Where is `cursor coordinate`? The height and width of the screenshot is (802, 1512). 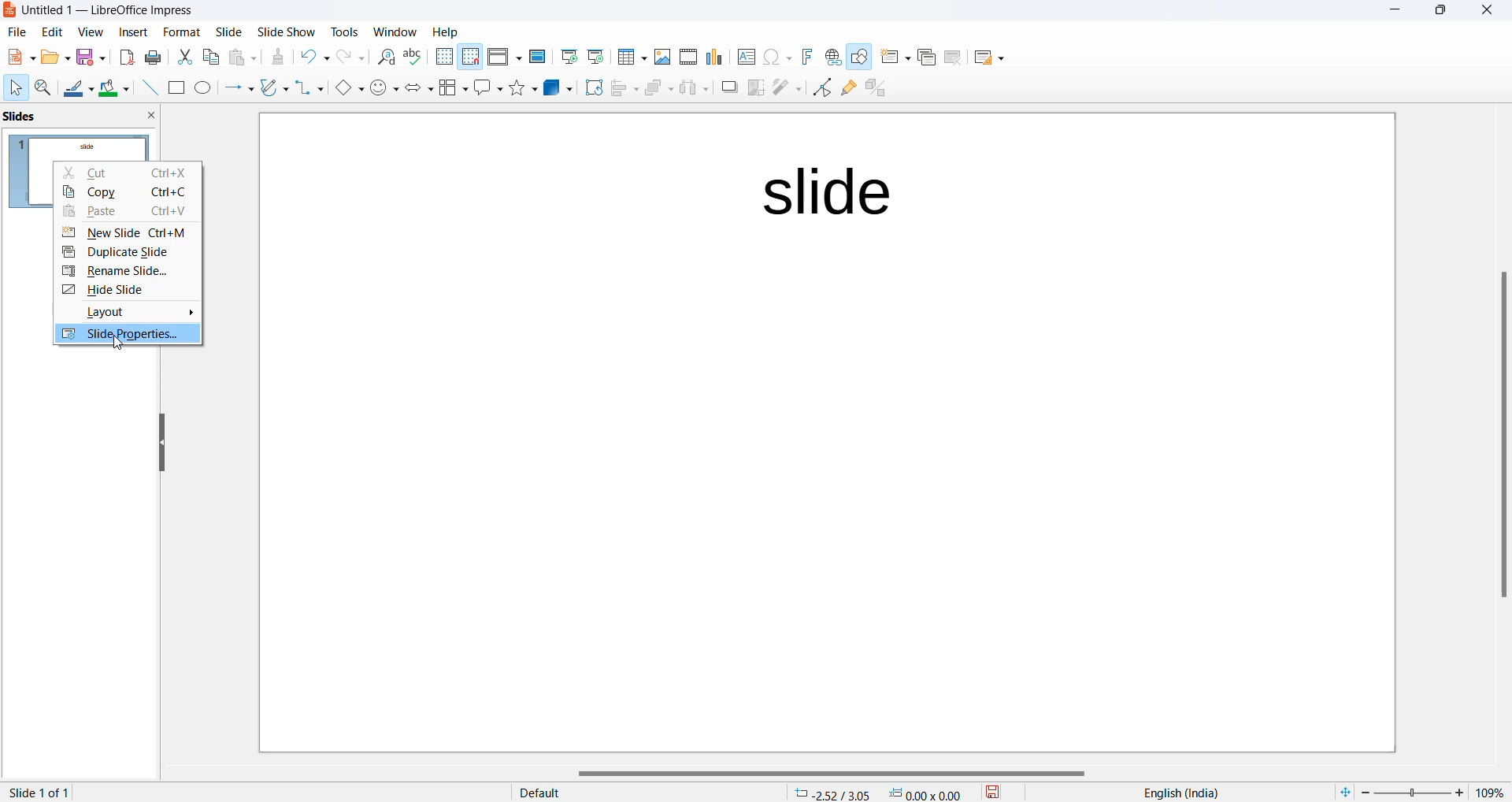
cursor coordinate is located at coordinates (883, 790).